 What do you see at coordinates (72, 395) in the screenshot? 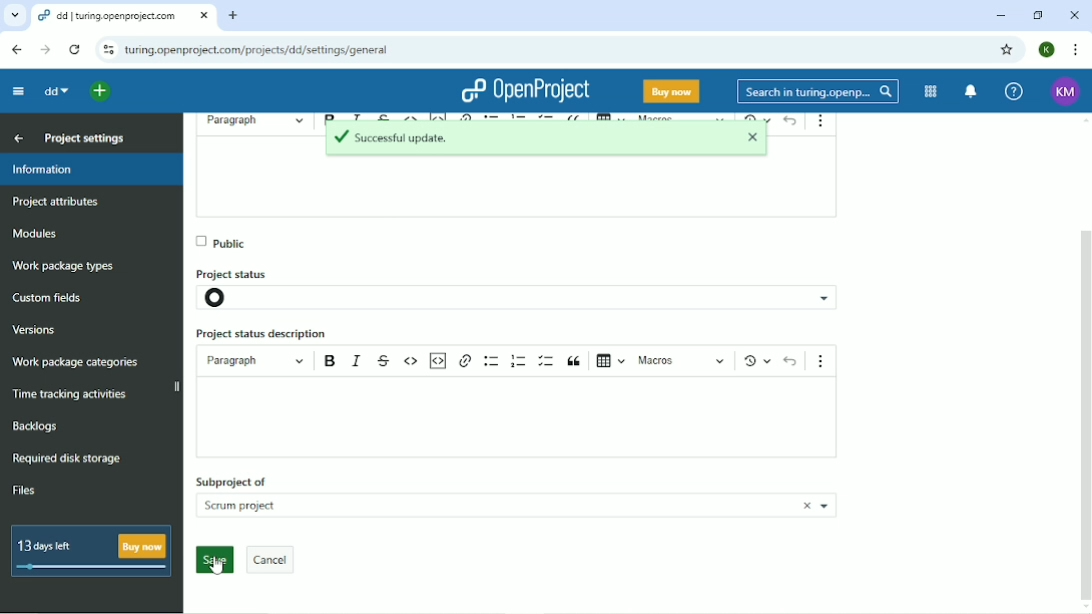
I see `Time racking activities` at bounding box center [72, 395].